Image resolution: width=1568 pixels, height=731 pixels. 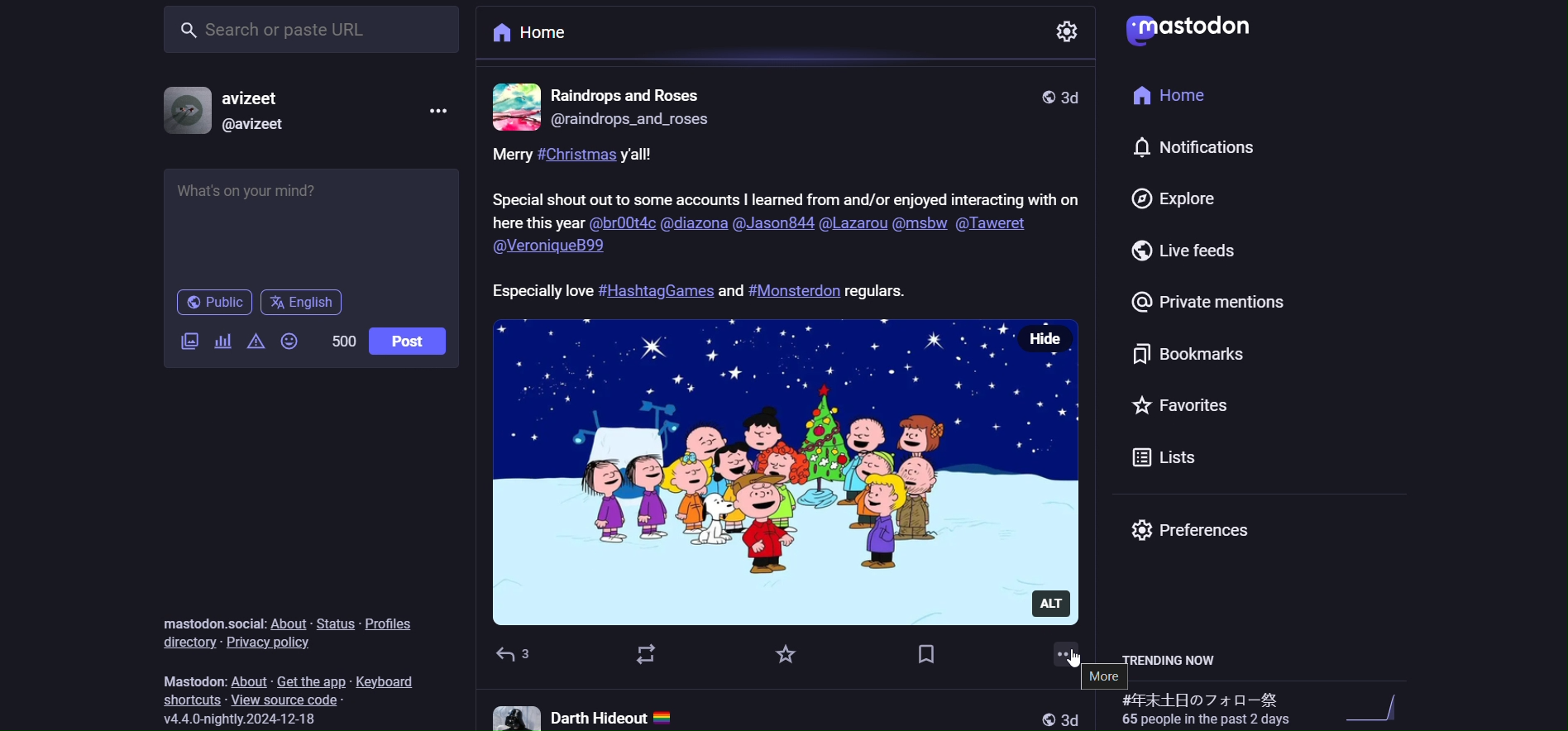 I want to click on hide, so click(x=1045, y=343).